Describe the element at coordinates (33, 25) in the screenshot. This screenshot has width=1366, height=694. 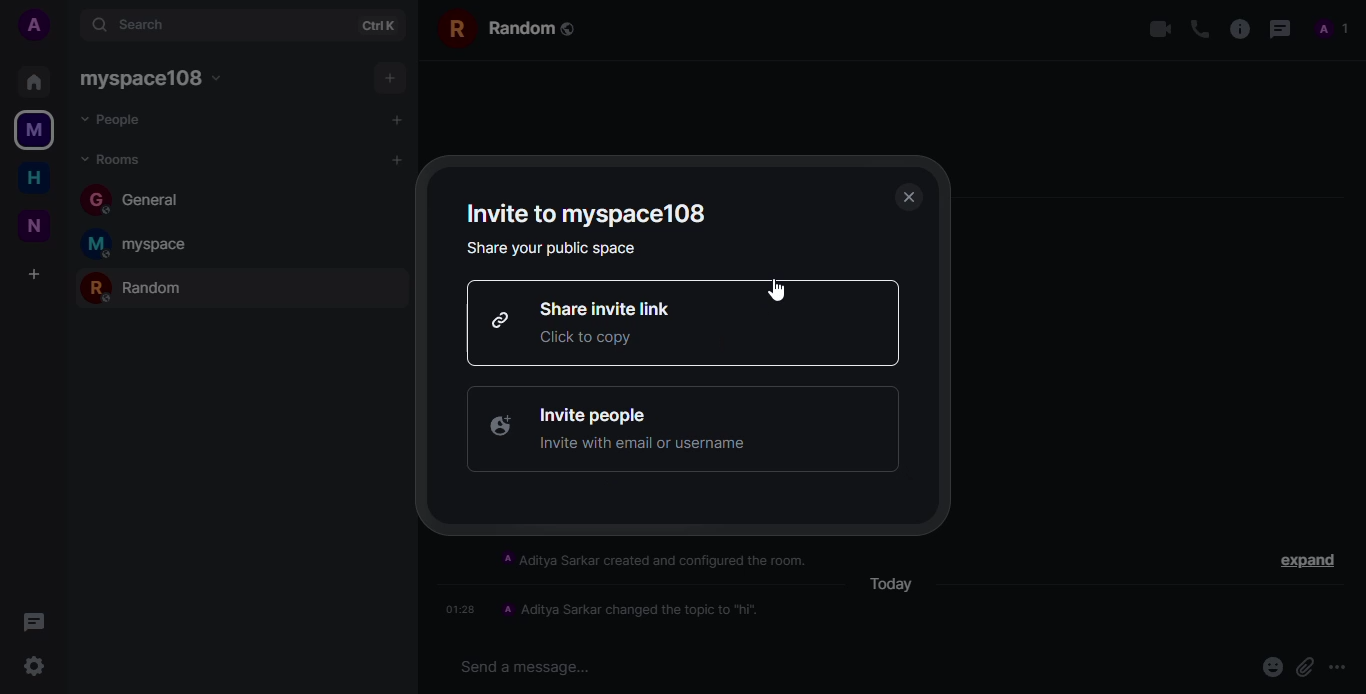
I see `account` at that location.